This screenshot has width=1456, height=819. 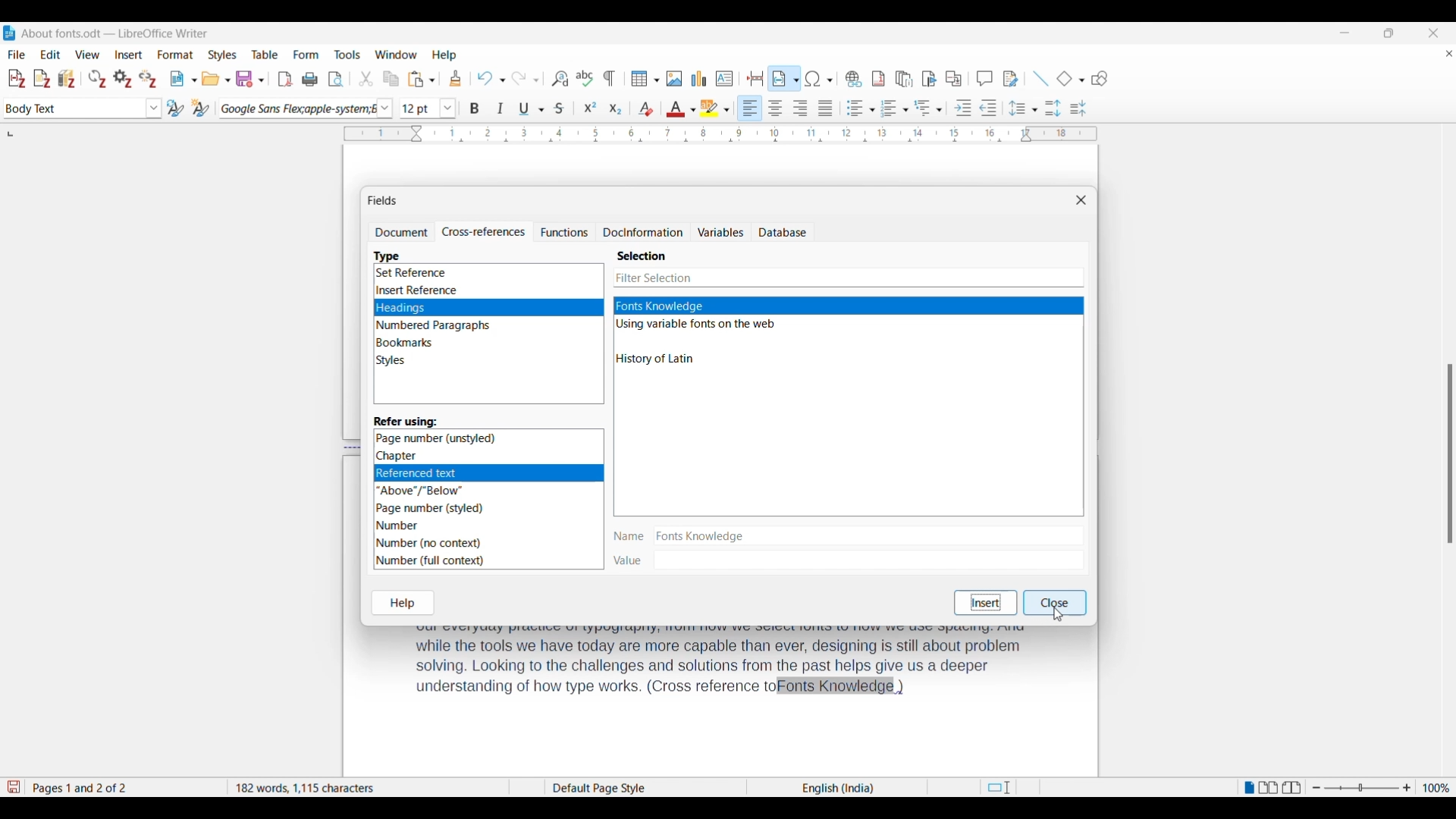 I want to click on Insert page break, so click(x=756, y=78).